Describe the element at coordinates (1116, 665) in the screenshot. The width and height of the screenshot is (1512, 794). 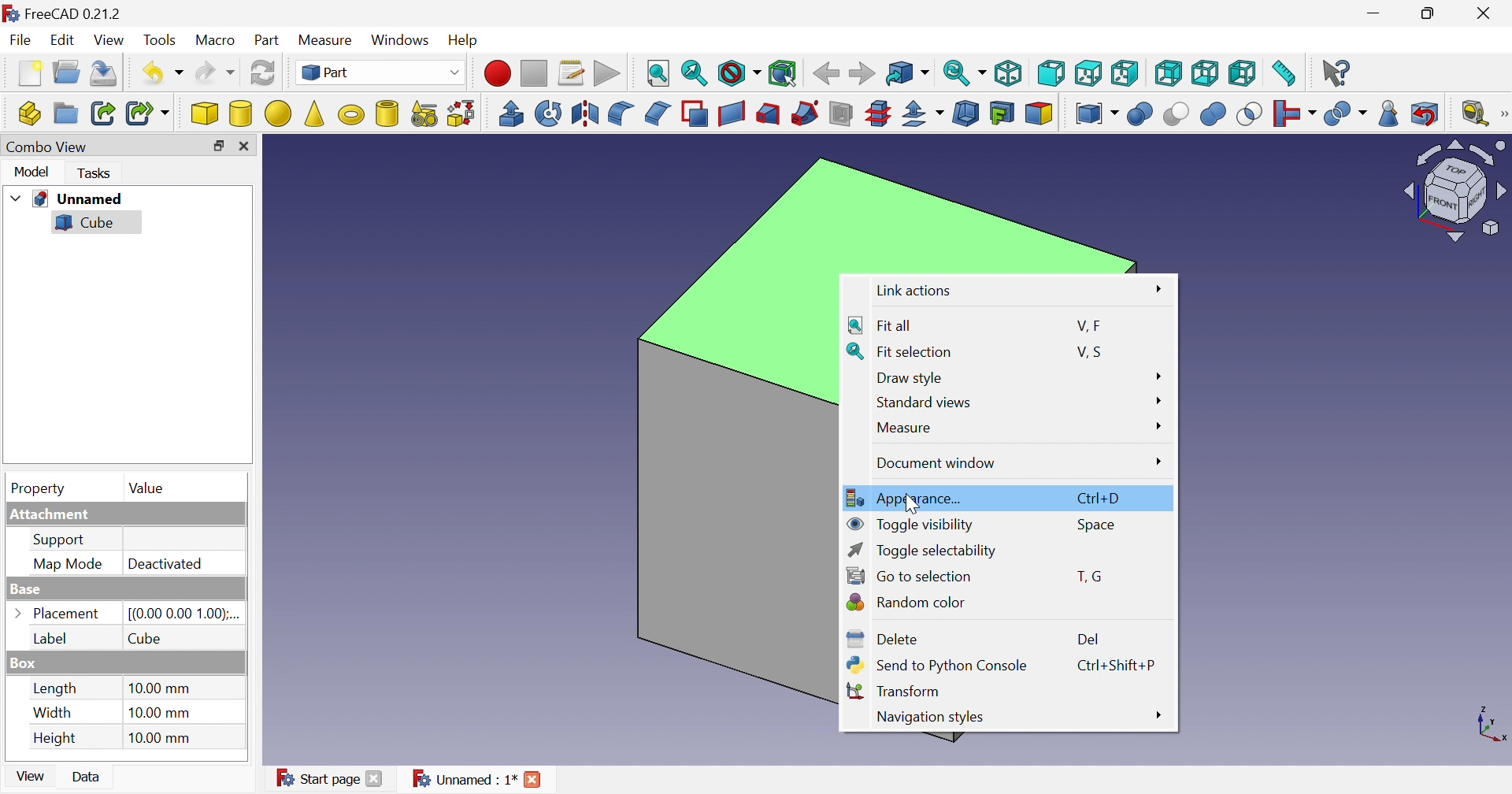
I see `Ctrl+Shift+P` at that location.